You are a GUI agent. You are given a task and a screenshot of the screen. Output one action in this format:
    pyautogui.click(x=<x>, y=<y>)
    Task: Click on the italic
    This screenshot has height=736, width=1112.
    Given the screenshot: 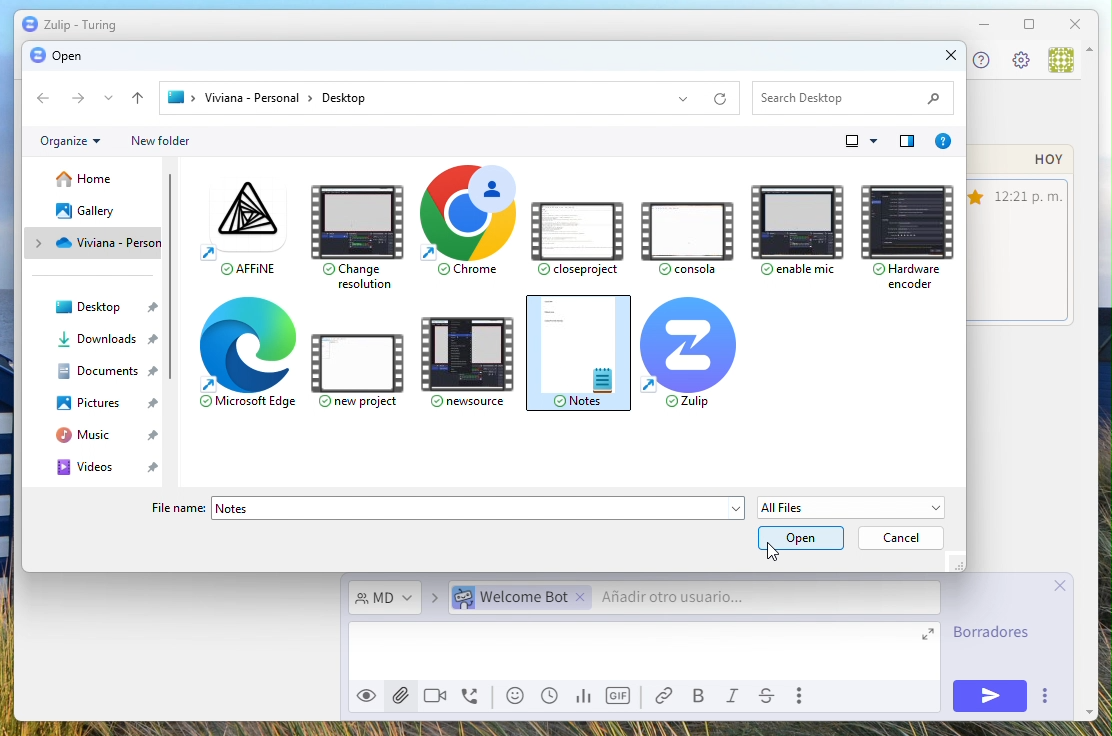 What is the action you would take?
    pyautogui.click(x=736, y=698)
    